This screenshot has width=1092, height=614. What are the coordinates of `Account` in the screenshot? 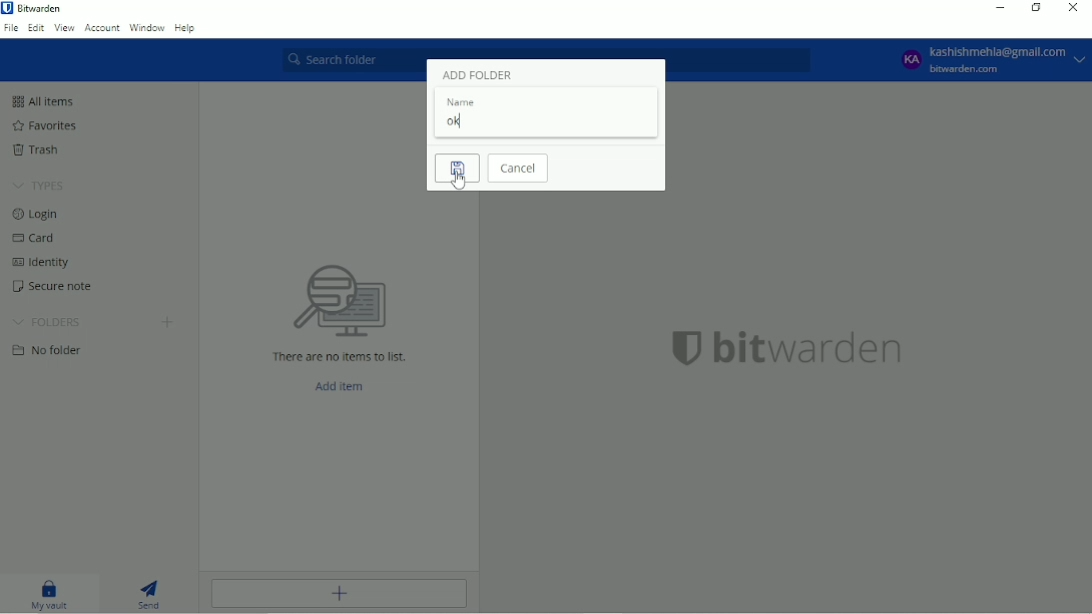 It's located at (103, 28).